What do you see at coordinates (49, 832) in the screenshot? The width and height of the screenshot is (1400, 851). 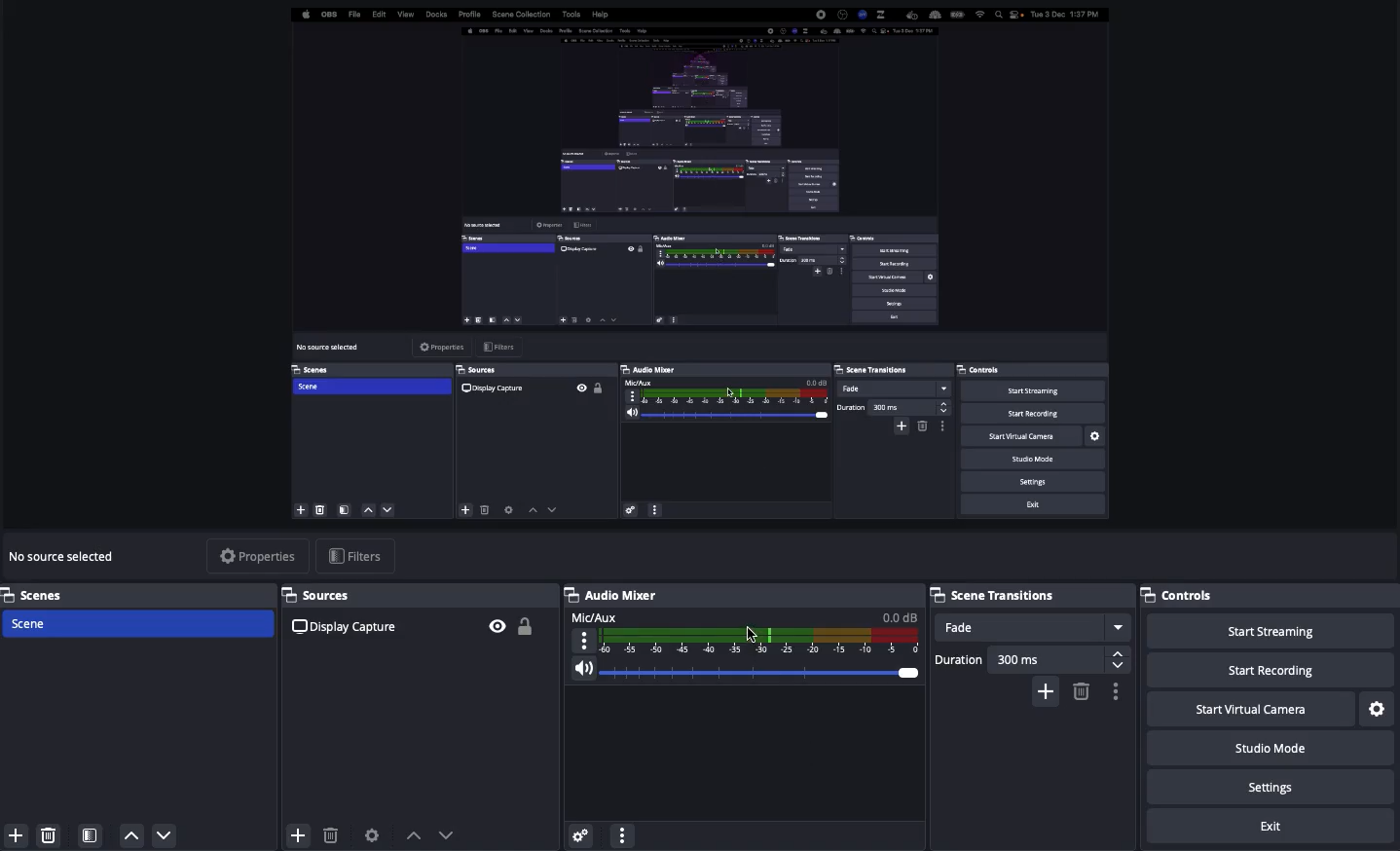 I see `Delete` at bounding box center [49, 832].